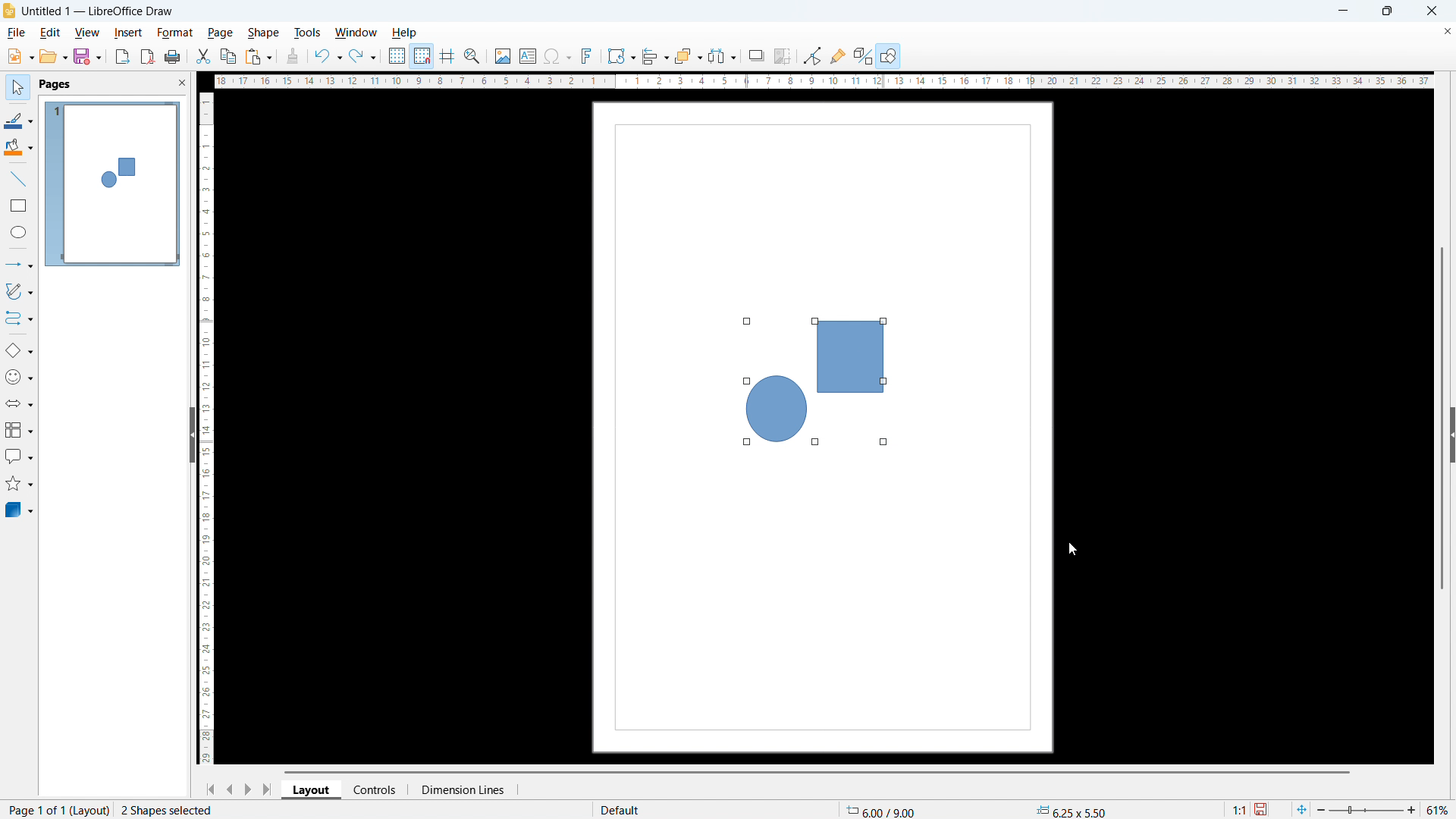 The width and height of the screenshot is (1456, 819). Describe the element at coordinates (20, 148) in the screenshot. I see `background color` at that location.